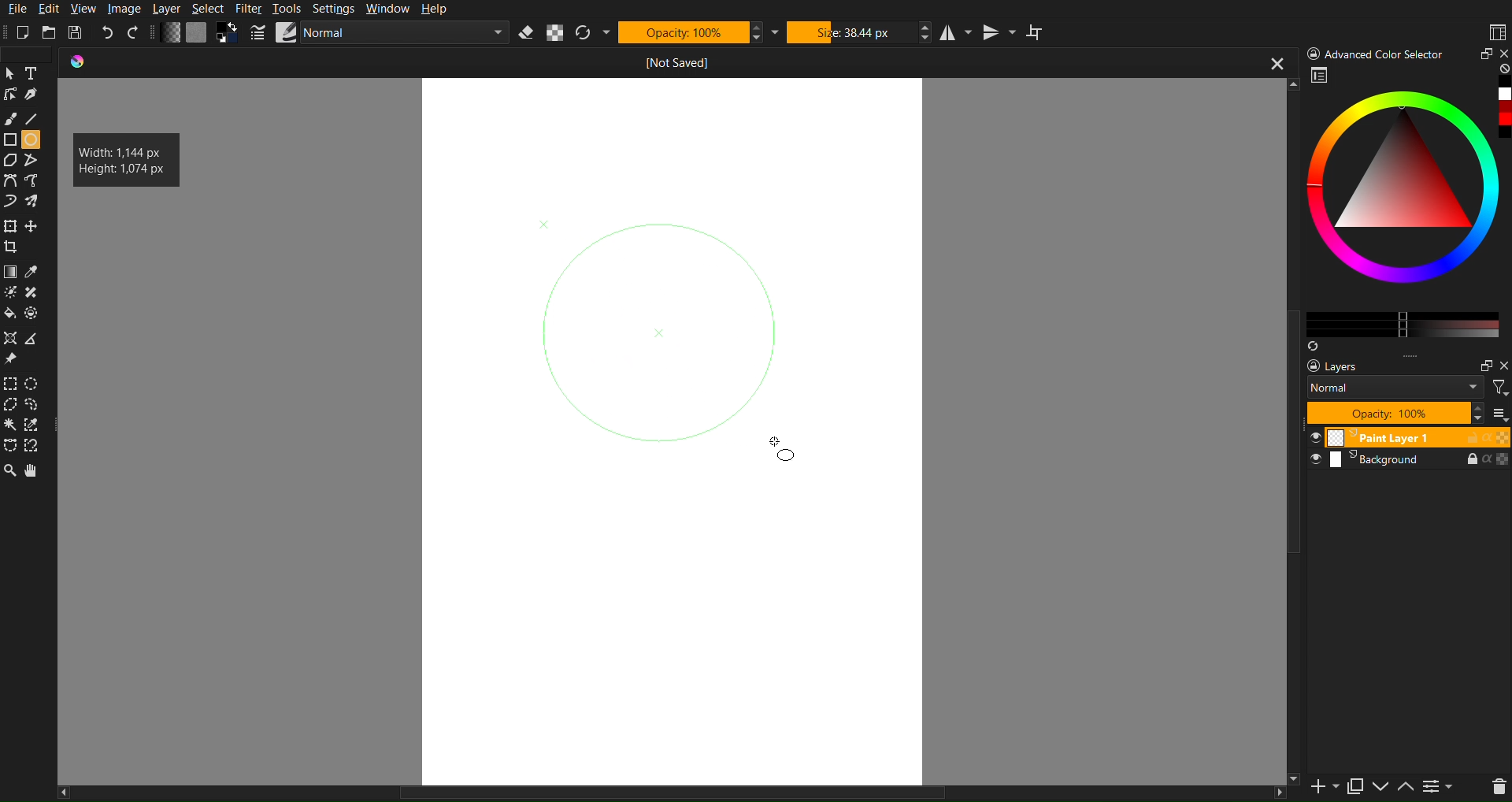  Describe the element at coordinates (1496, 31) in the screenshot. I see `Workspaces` at that location.